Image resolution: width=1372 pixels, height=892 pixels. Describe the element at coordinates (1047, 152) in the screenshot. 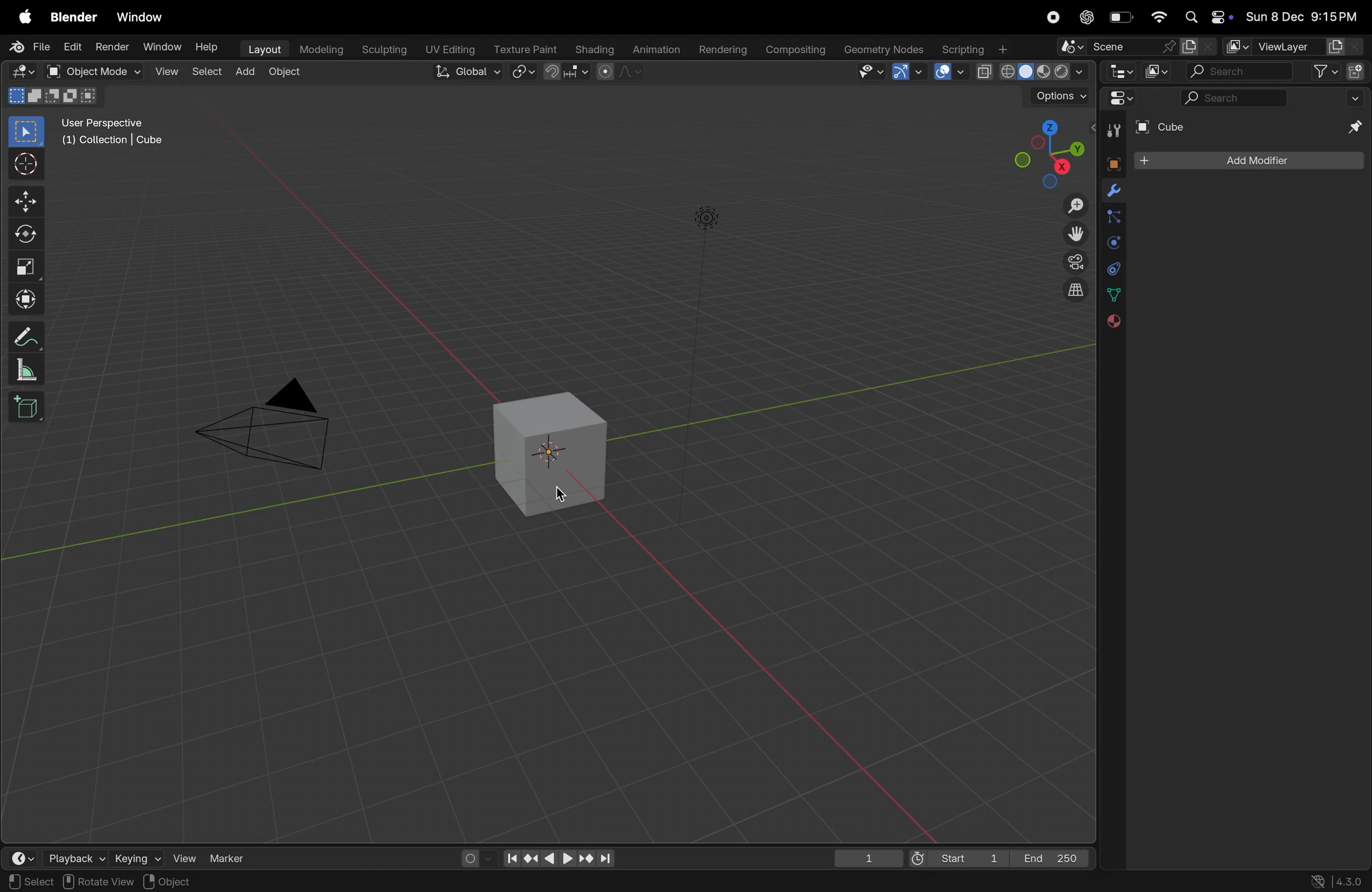

I see `view points` at that location.